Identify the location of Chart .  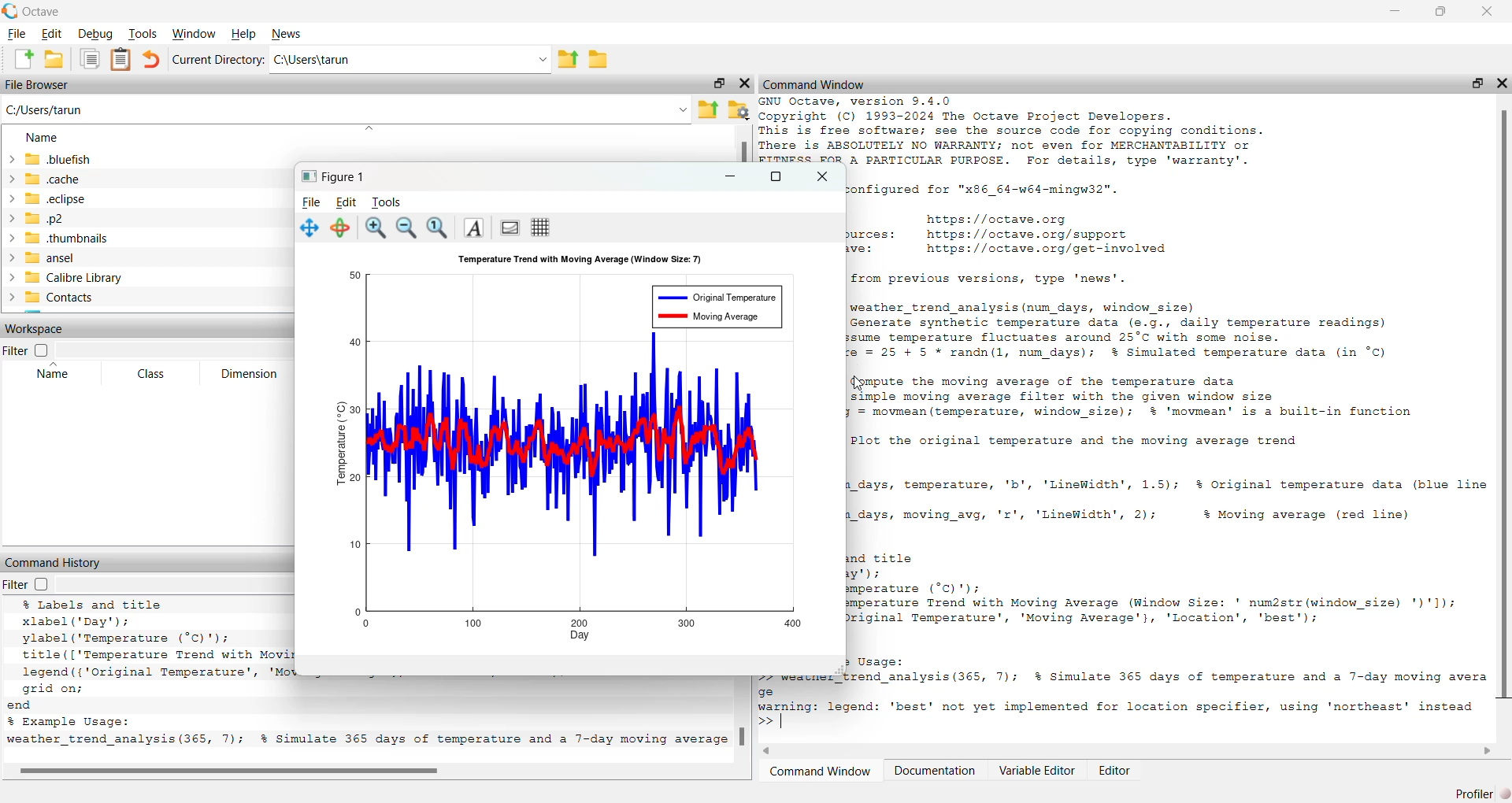
(510, 228).